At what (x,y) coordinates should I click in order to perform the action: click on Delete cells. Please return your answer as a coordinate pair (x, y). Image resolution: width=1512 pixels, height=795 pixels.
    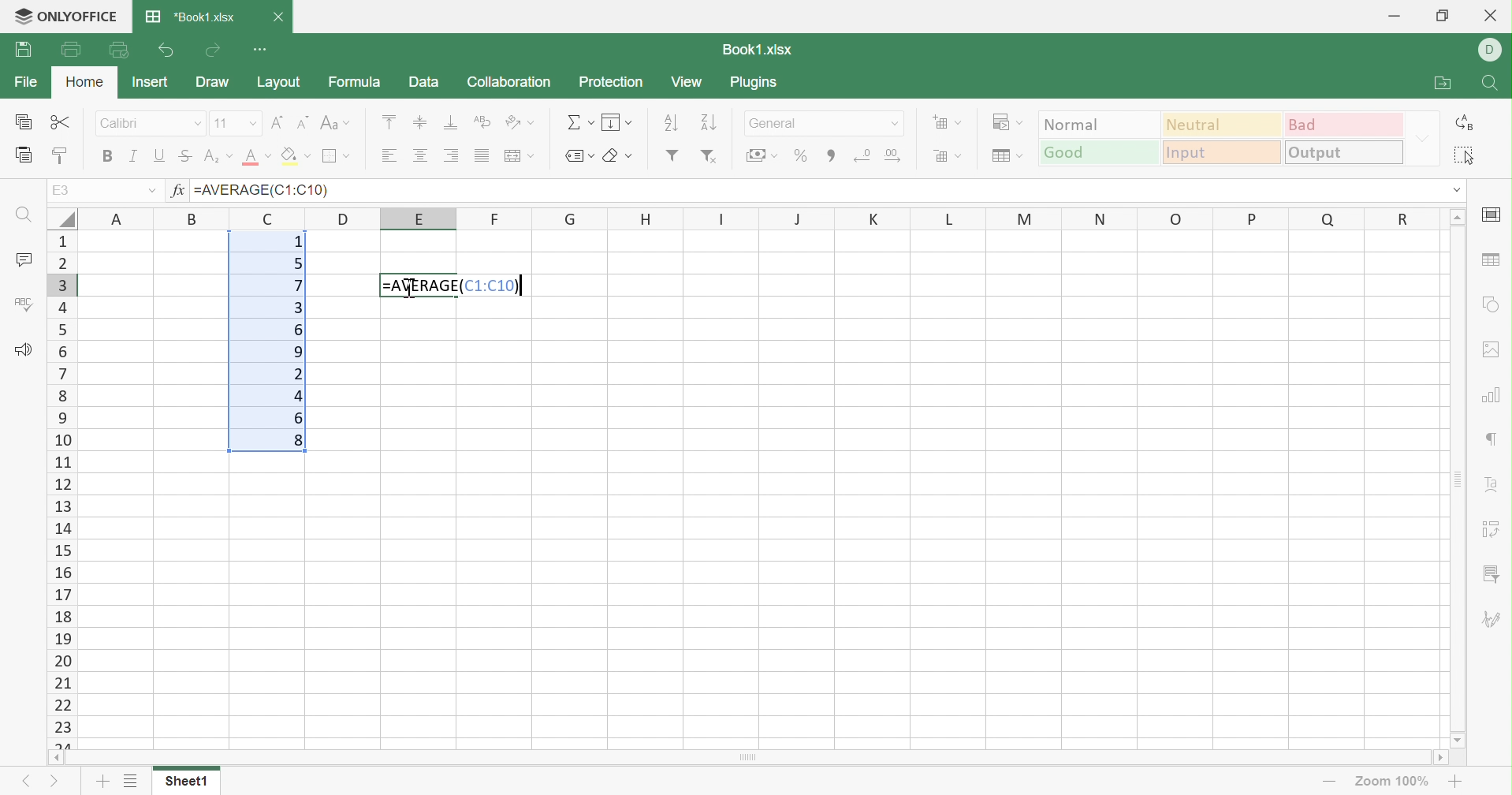
    Looking at the image, I should click on (950, 155).